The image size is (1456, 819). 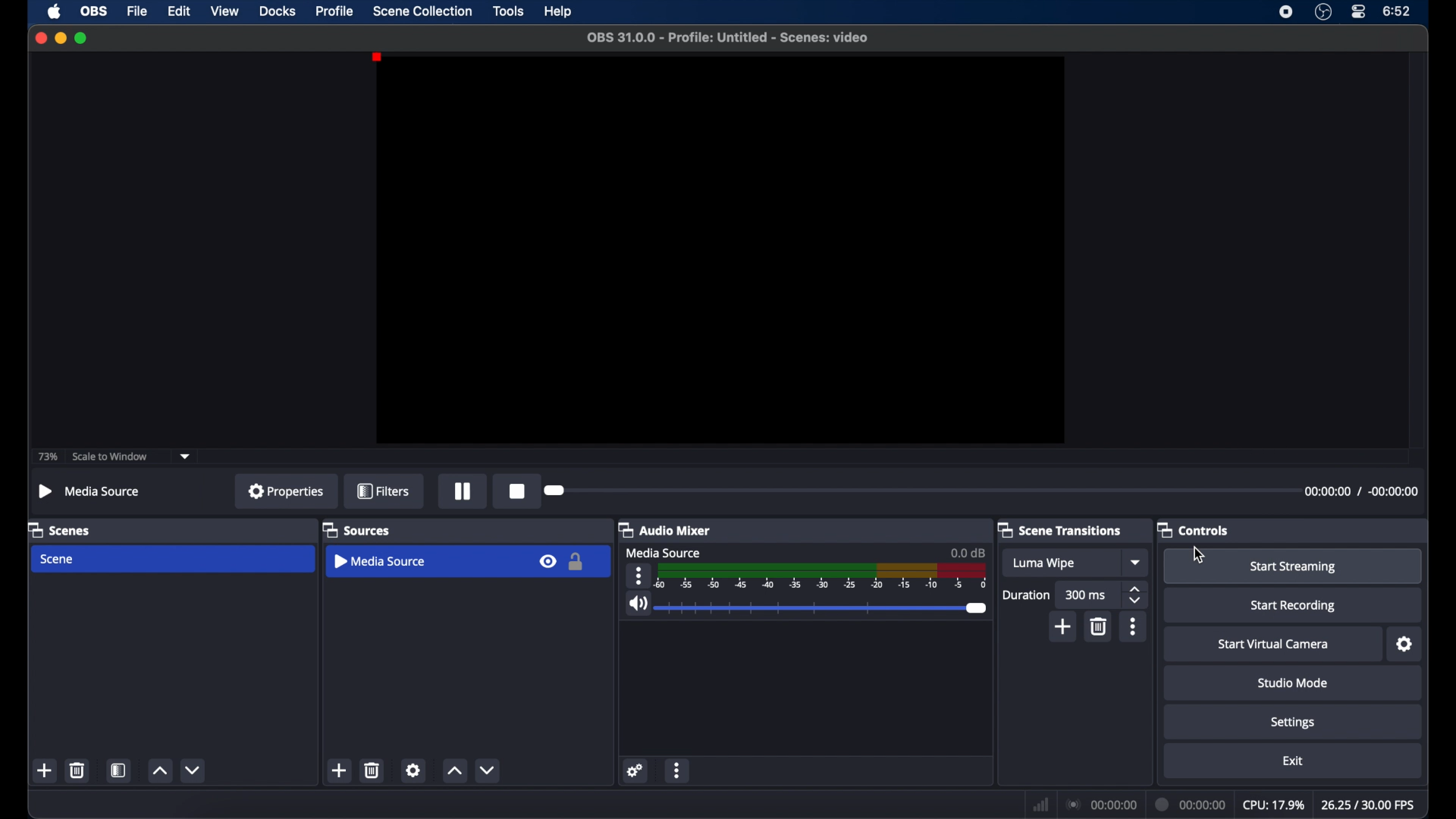 What do you see at coordinates (179, 11) in the screenshot?
I see `edit` at bounding box center [179, 11].